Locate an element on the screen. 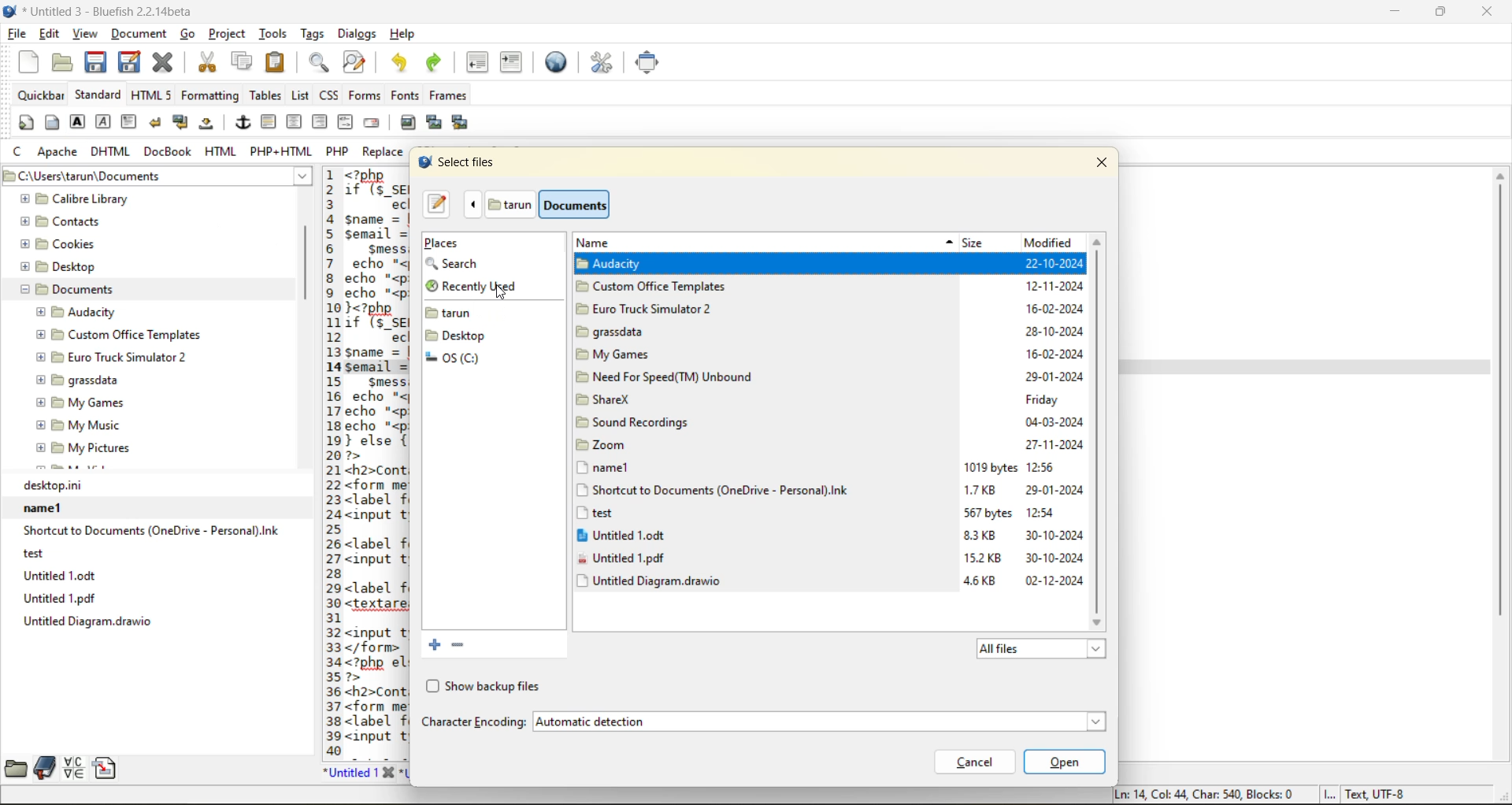 Image resolution: width=1512 pixels, height=805 pixels. html 5 is located at coordinates (152, 95).